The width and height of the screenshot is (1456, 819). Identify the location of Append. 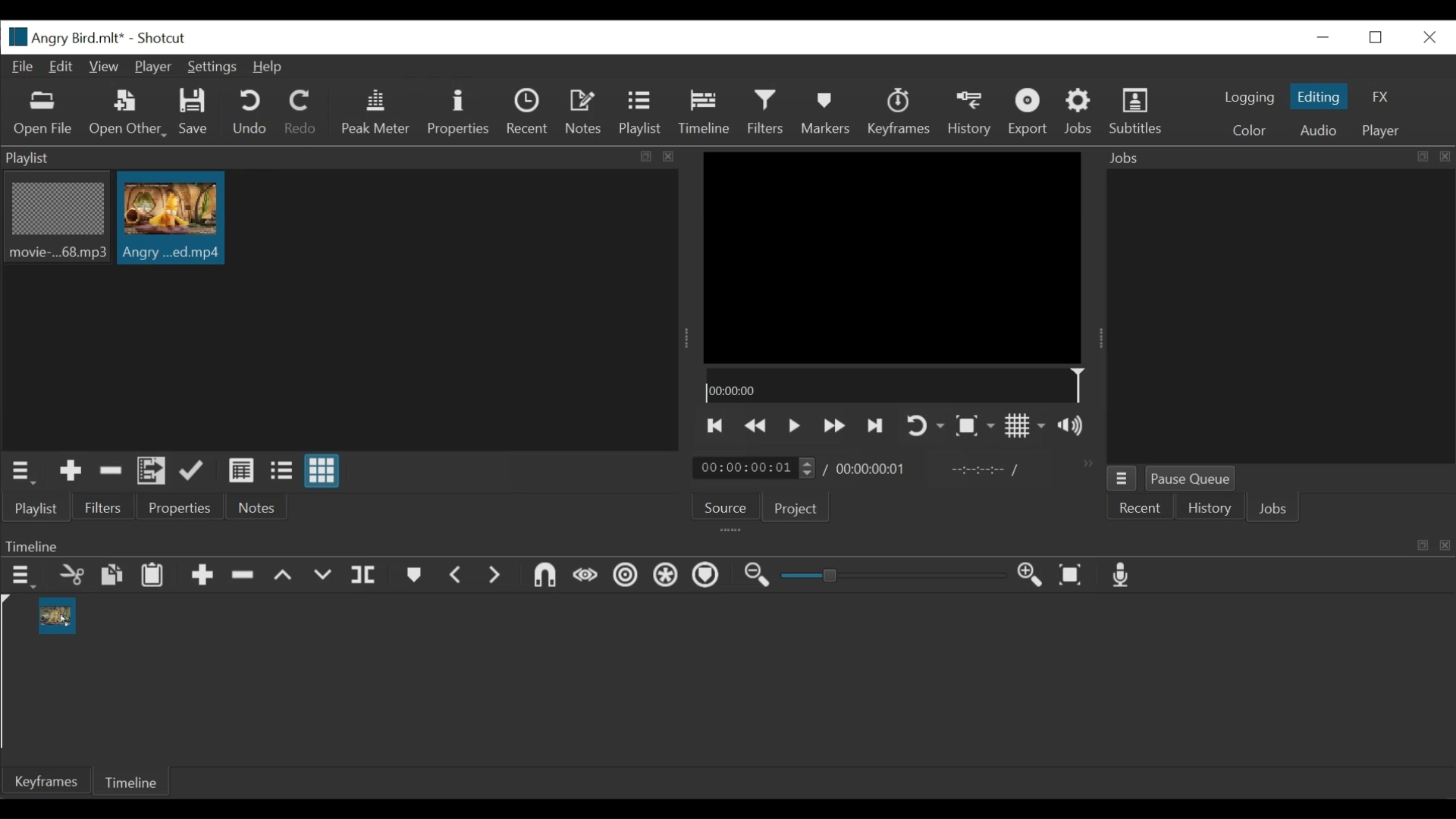
(201, 576).